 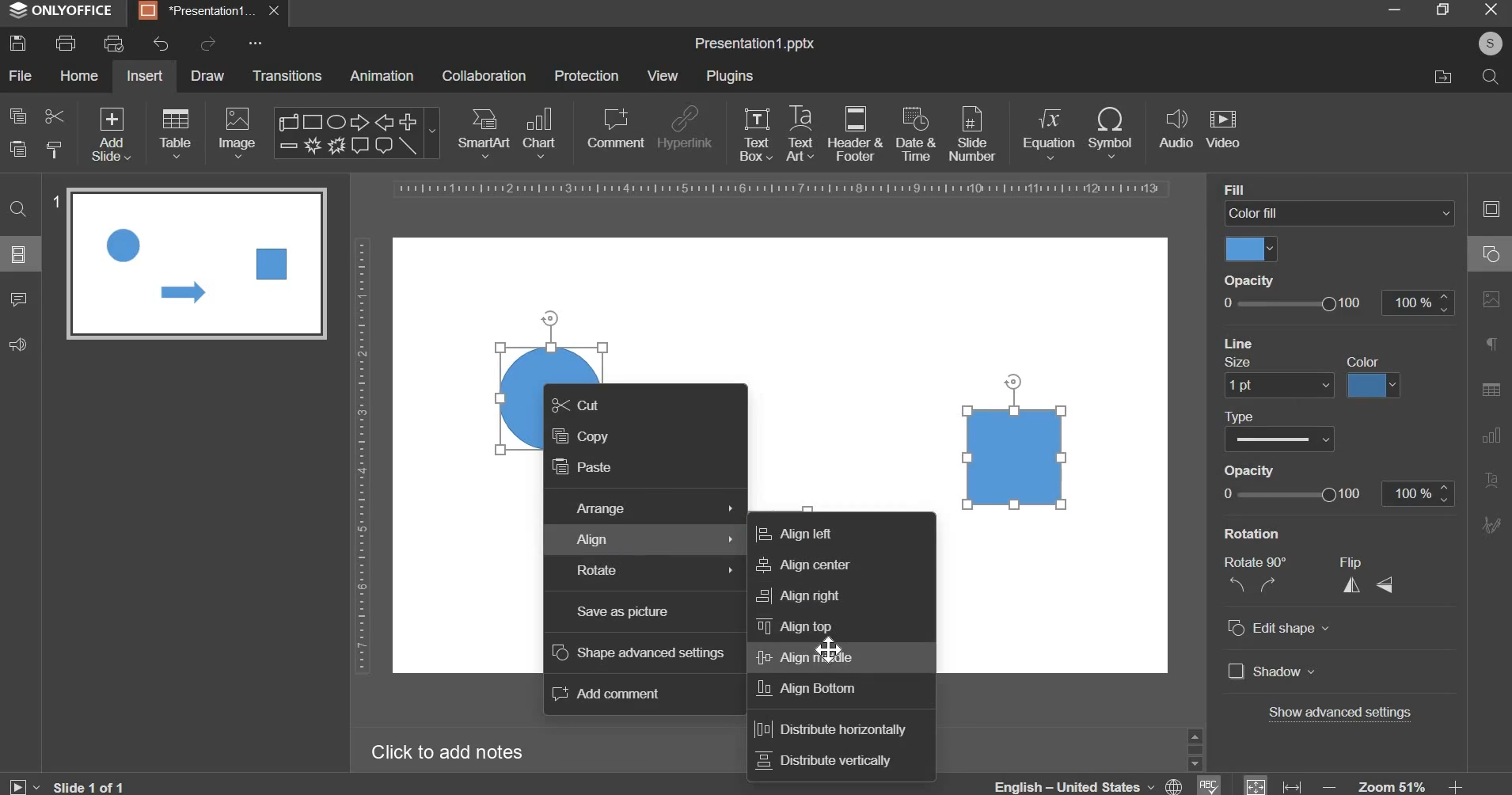 What do you see at coordinates (659, 542) in the screenshot?
I see `align` at bounding box center [659, 542].